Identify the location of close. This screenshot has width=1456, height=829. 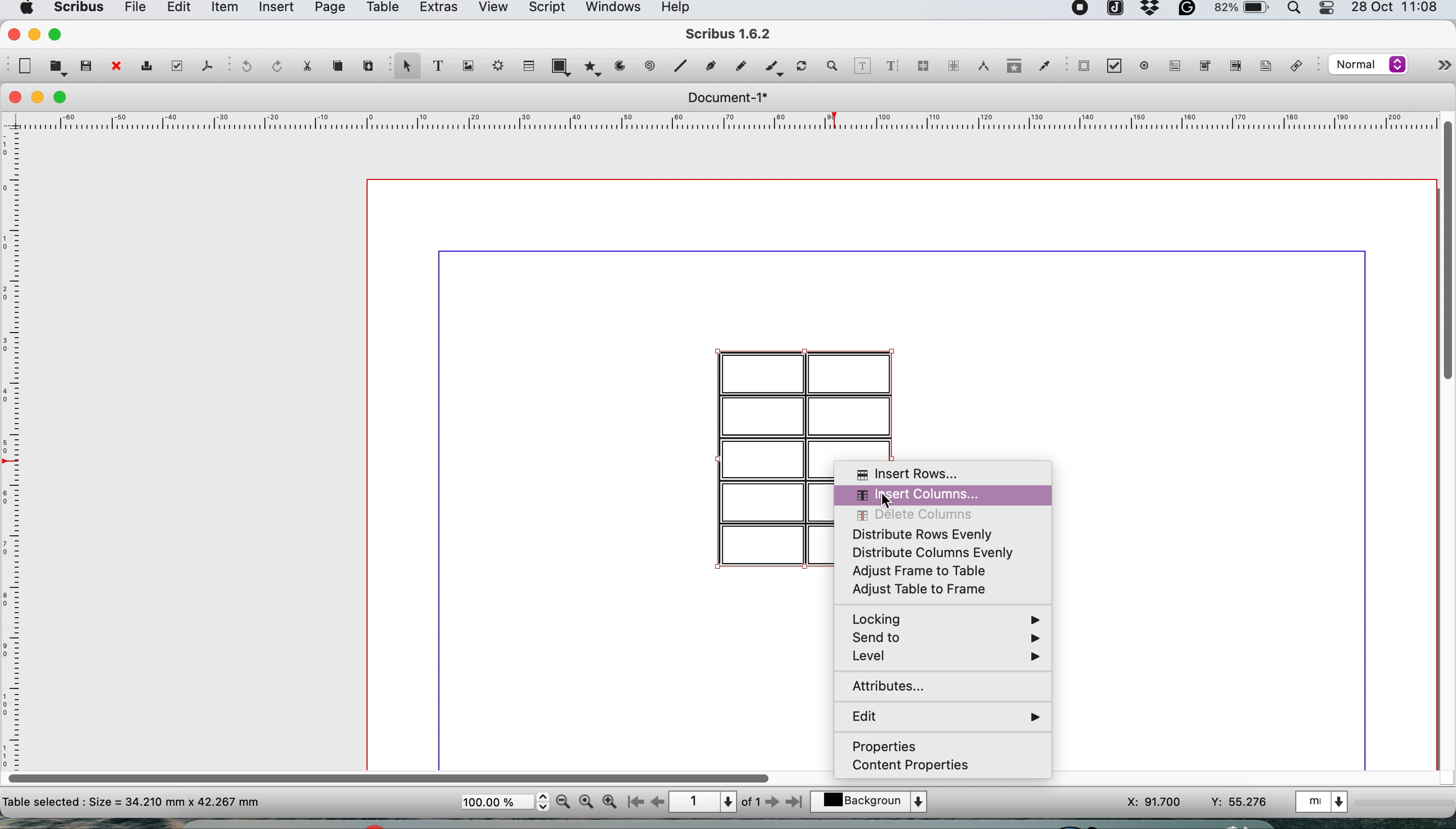
(12, 33).